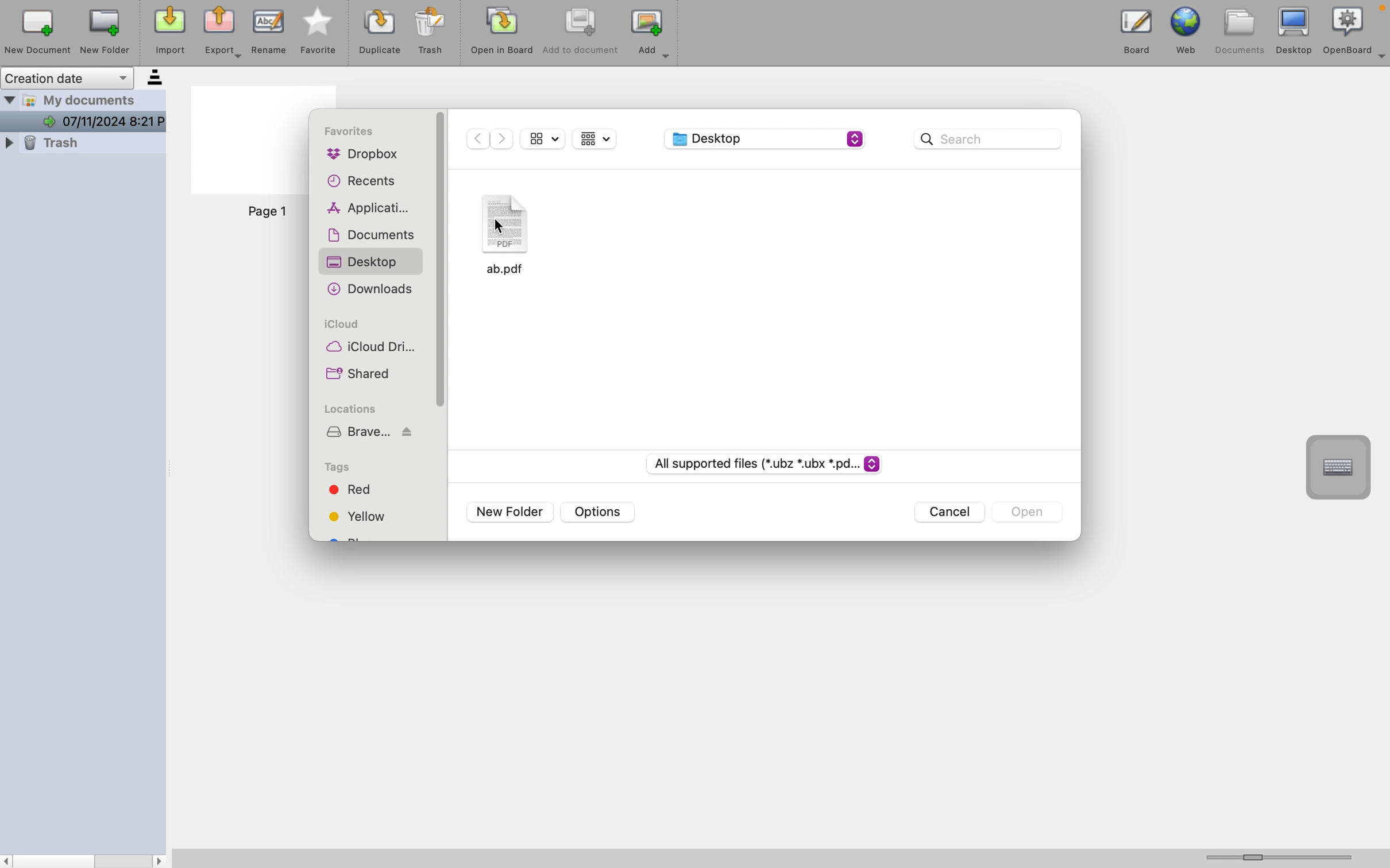  Describe the element at coordinates (349, 408) in the screenshot. I see `locations` at that location.